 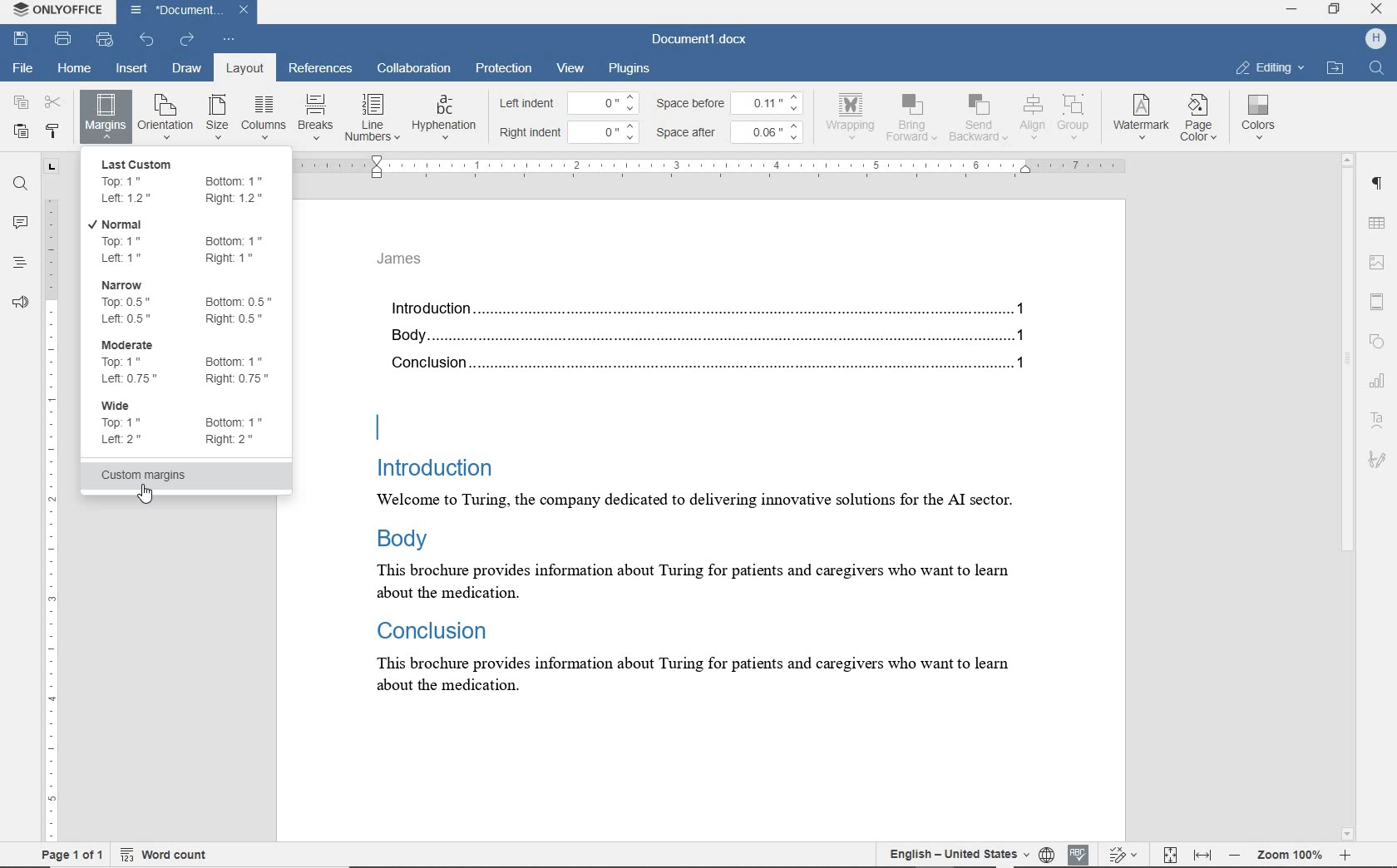 I want to click on moderate, so click(x=188, y=362).